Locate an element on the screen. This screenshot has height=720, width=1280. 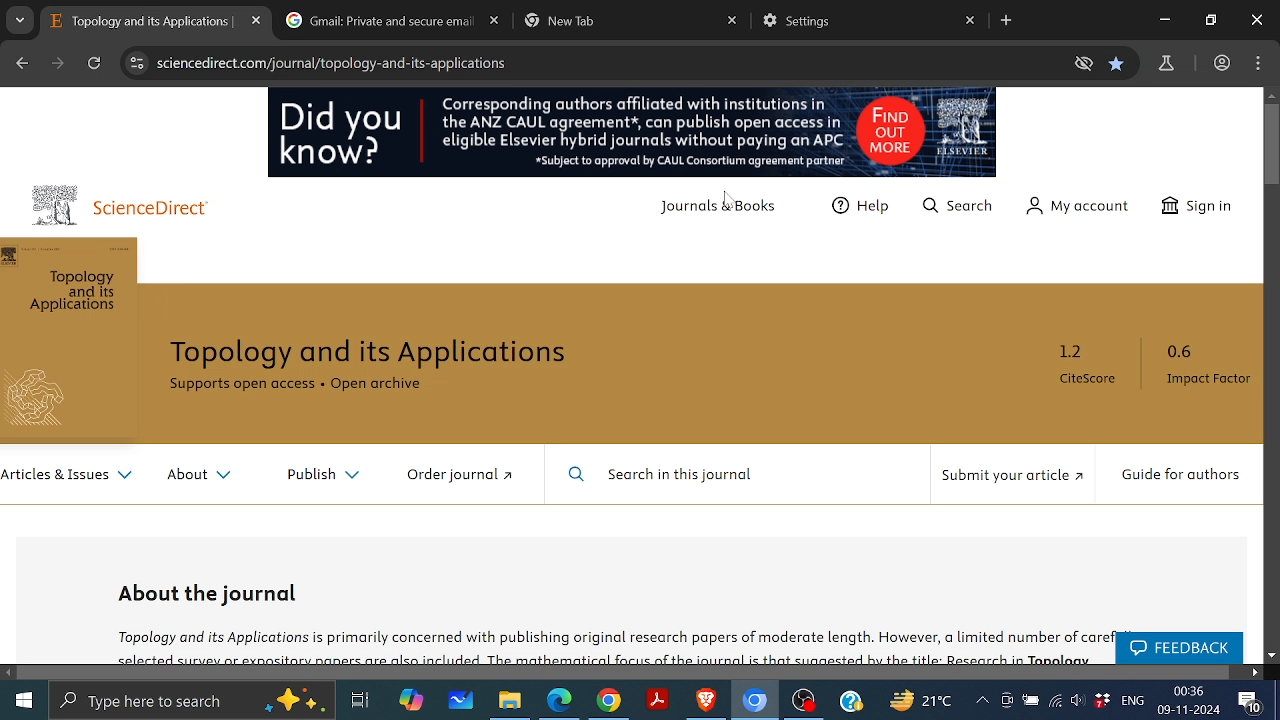
3rd and current tab is located at coordinates (618, 23).